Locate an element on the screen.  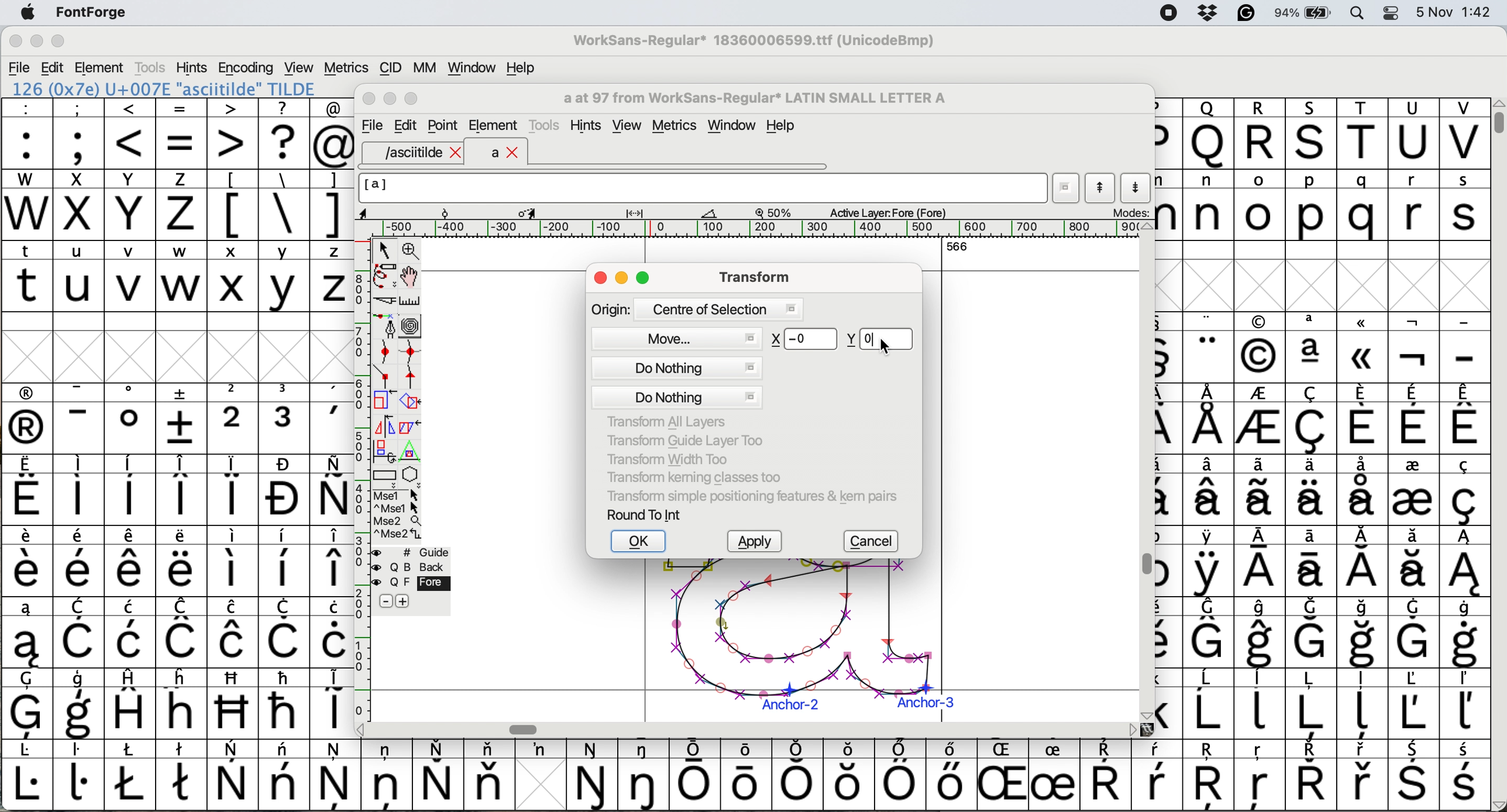
@ is located at coordinates (333, 134).